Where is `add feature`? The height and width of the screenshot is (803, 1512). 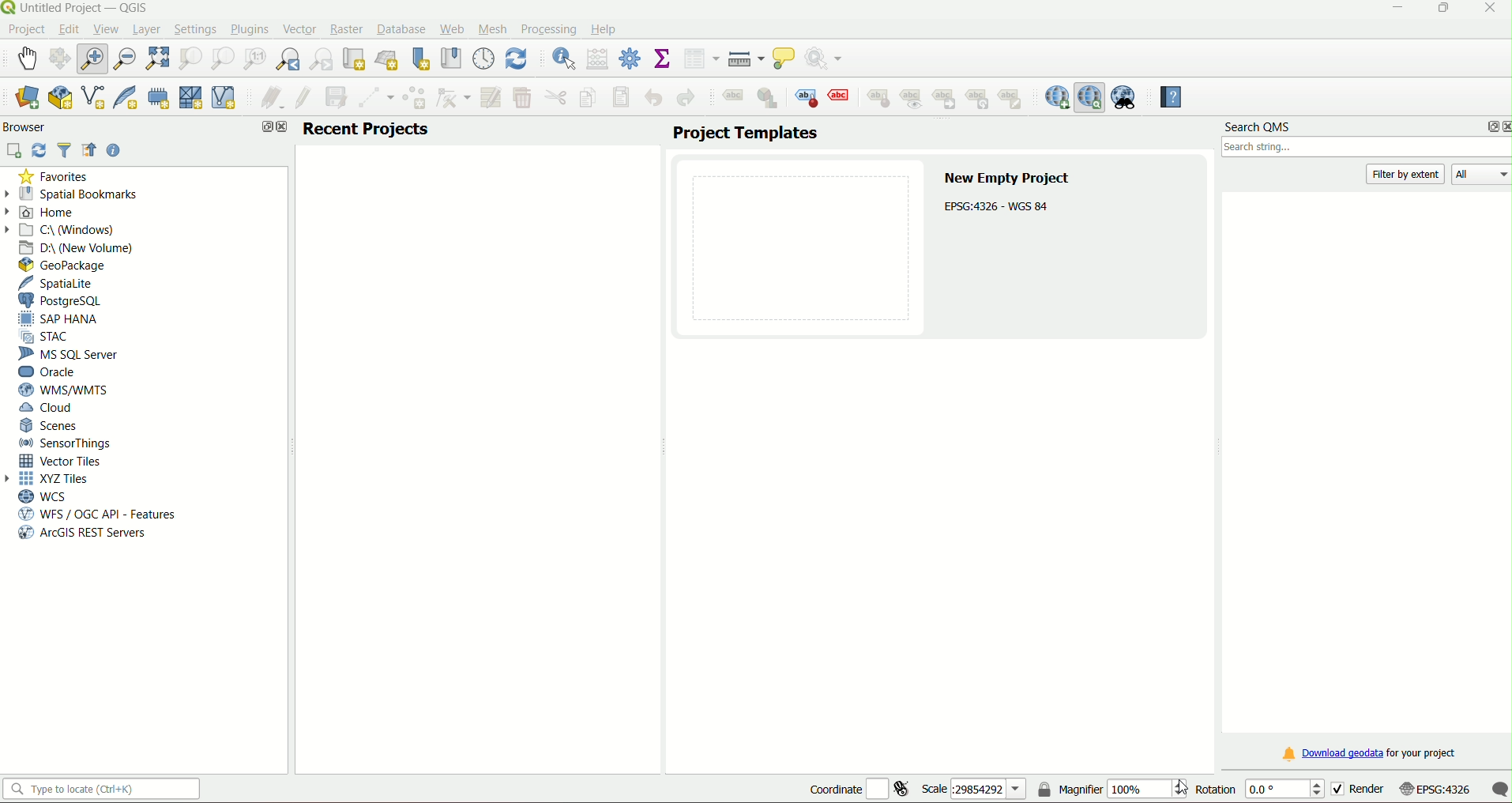
add feature is located at coordinates (415, 99).